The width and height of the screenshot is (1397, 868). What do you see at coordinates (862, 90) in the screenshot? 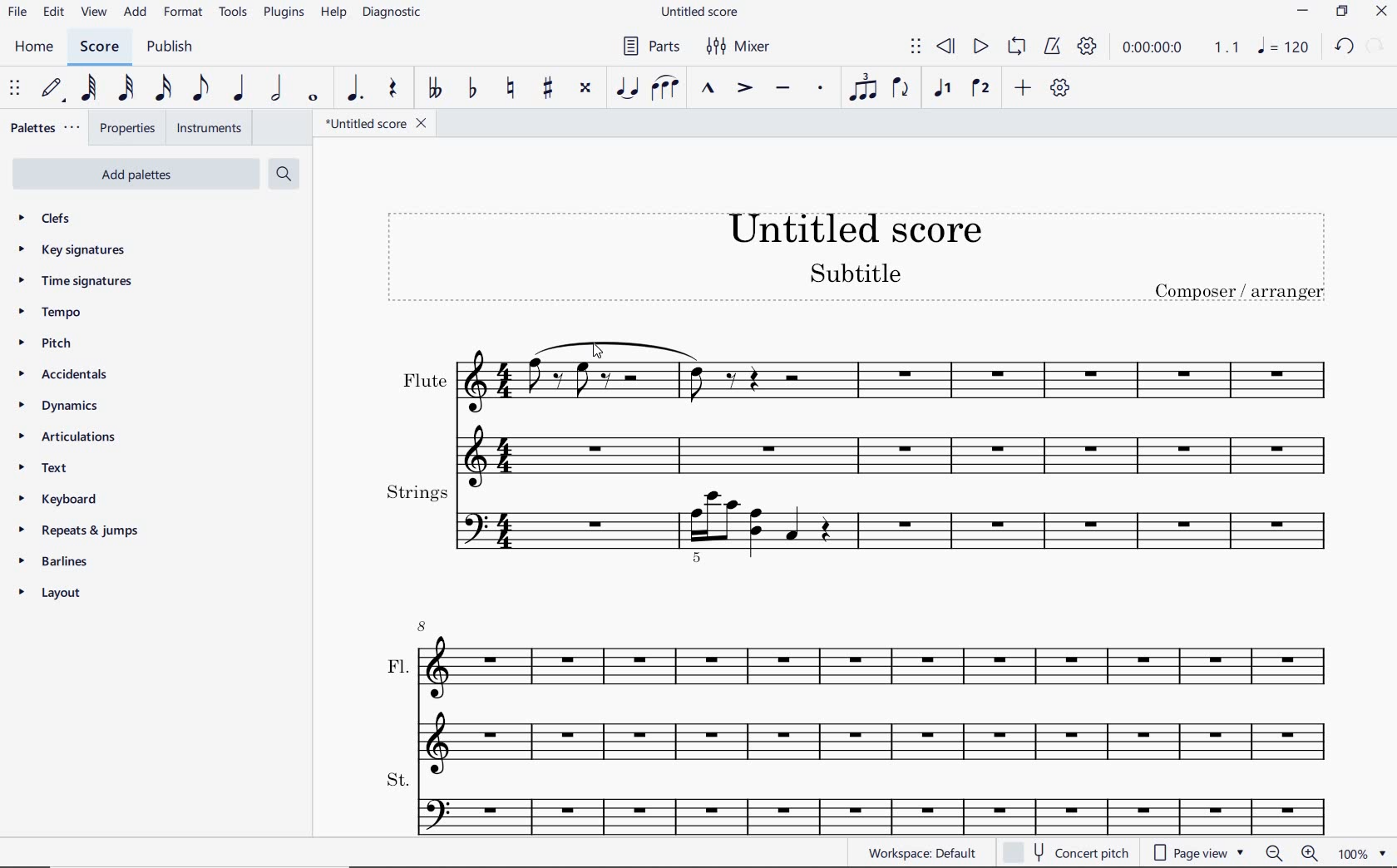
I see `TUPLET` at bounding box center [862, 90].